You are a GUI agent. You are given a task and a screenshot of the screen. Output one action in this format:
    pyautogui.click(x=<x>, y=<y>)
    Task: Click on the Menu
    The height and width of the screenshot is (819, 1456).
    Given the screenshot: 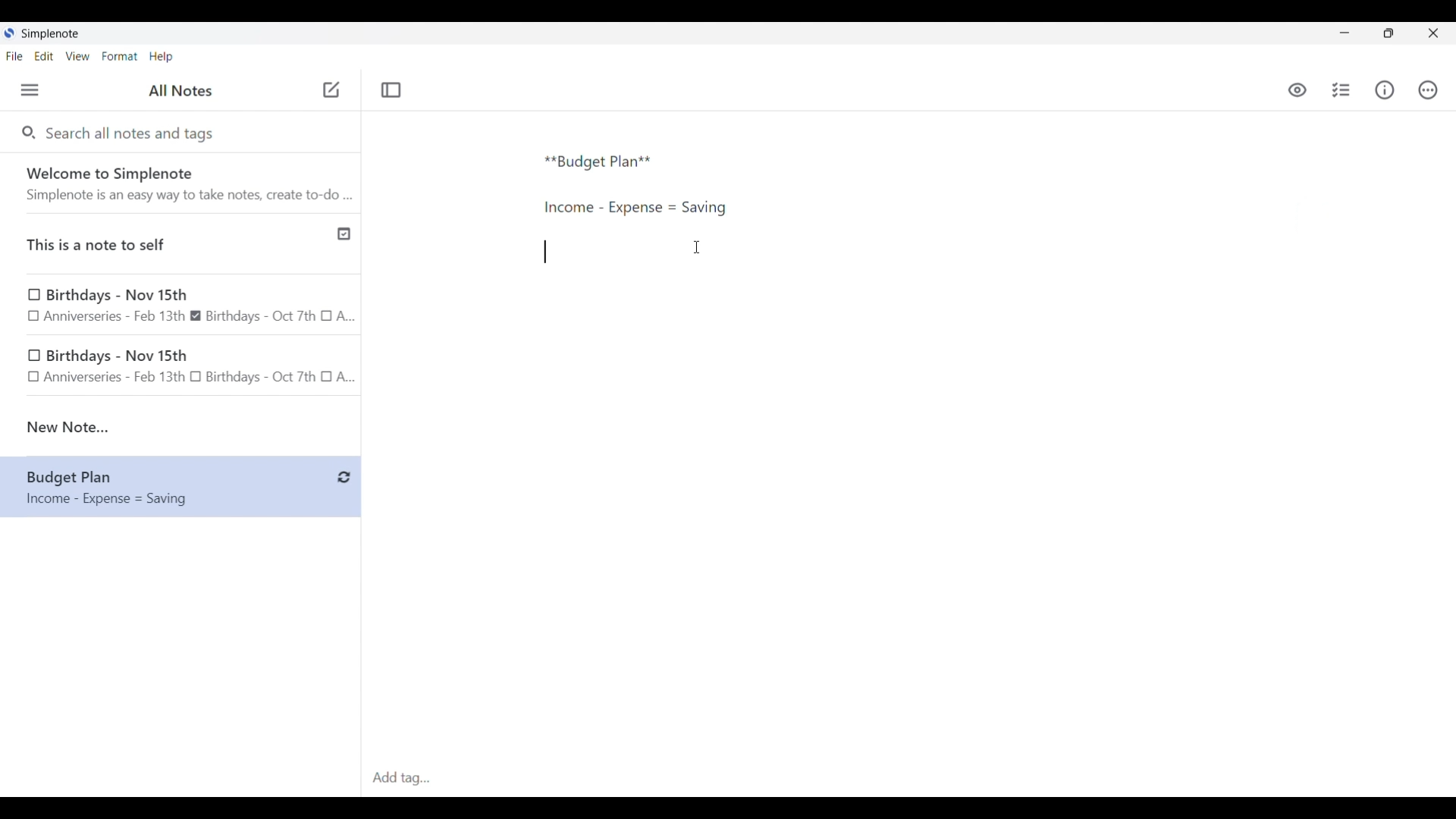 What is the action you would take?
    pyautogui.click(x=30, y=89)
    